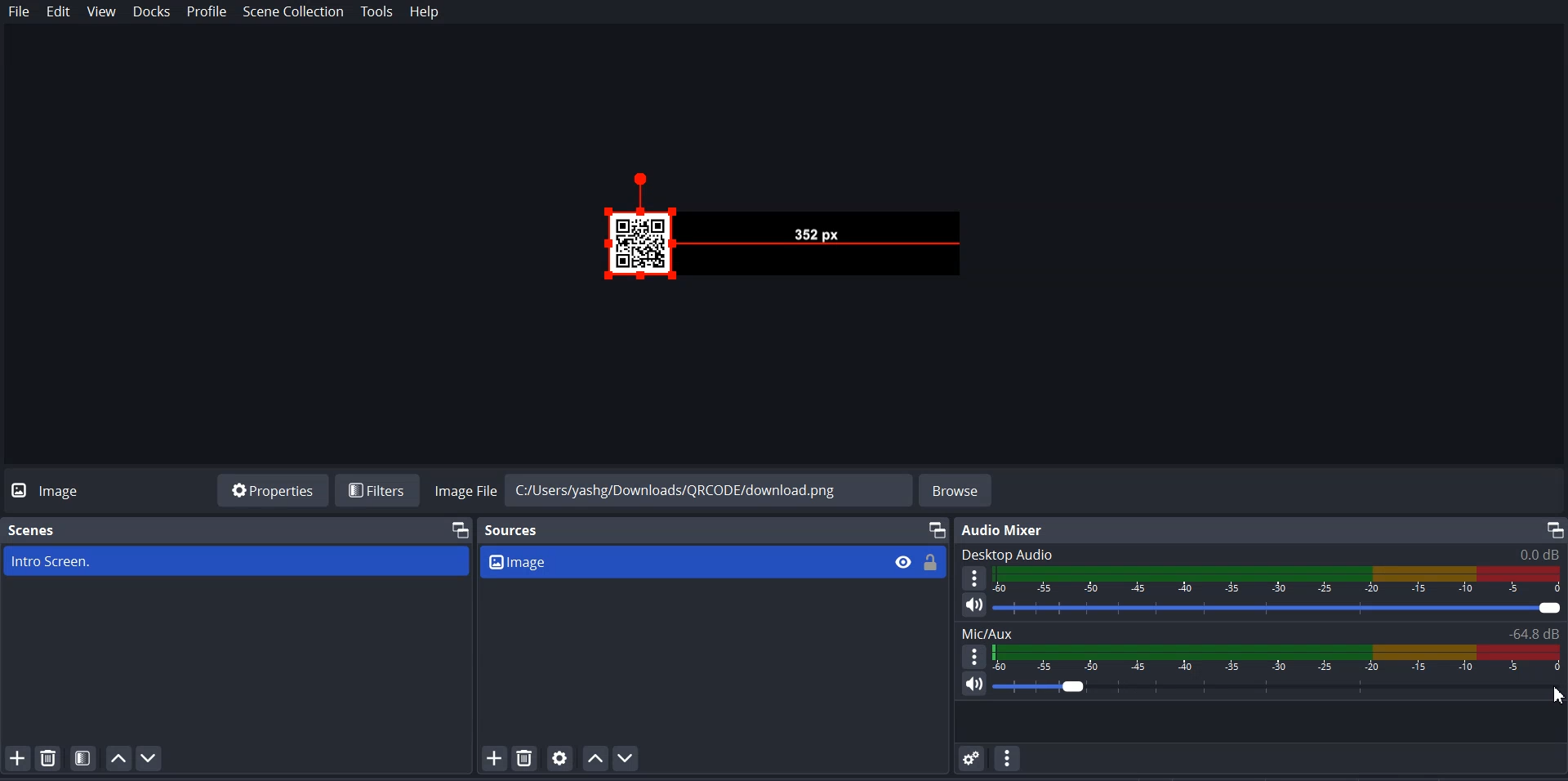  Describe the element at coordinates (957, 490) in the screenshot. I see `Browse` at that location.